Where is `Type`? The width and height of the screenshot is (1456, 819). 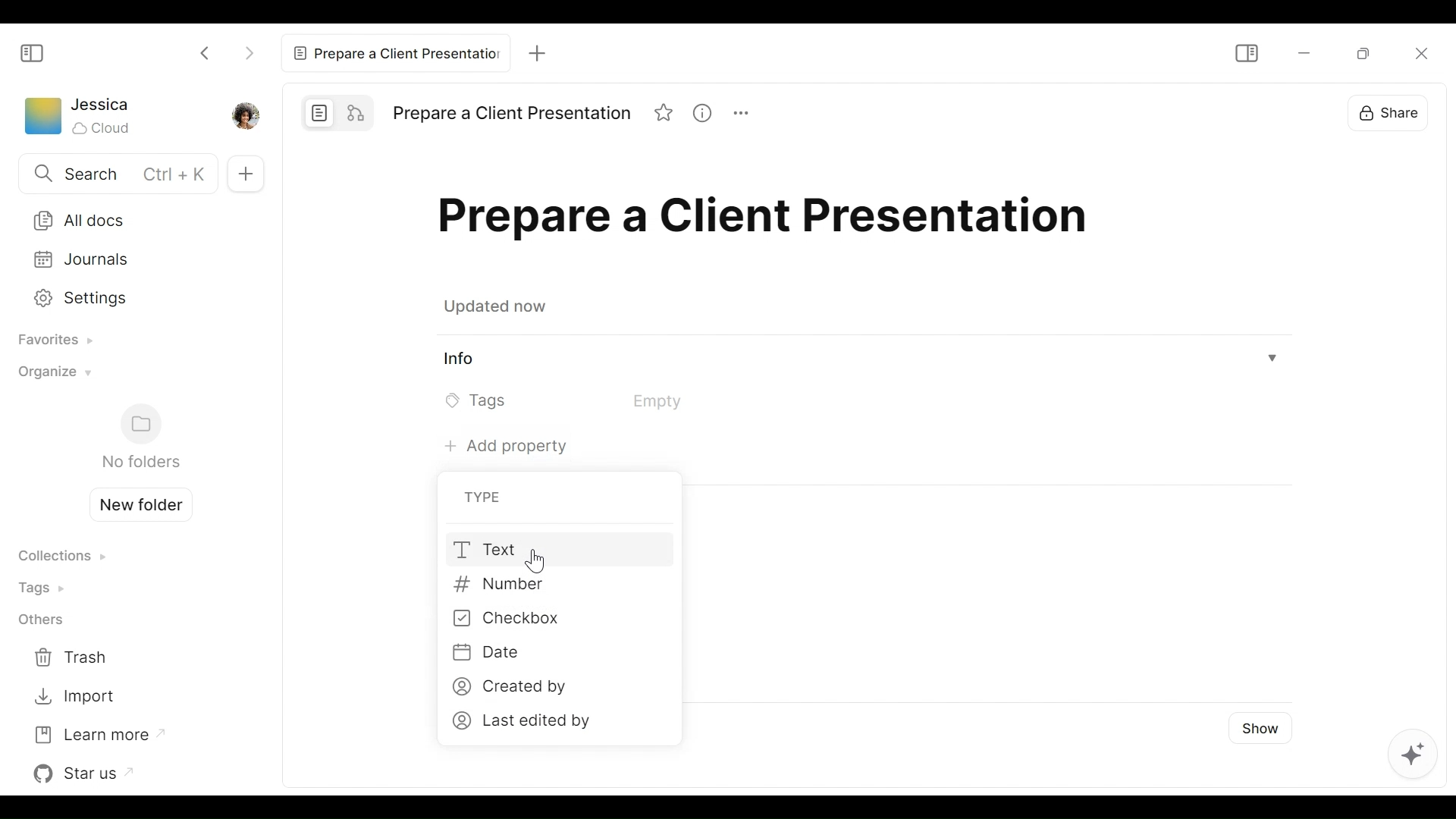
Type is located at coordinates (482, 498).